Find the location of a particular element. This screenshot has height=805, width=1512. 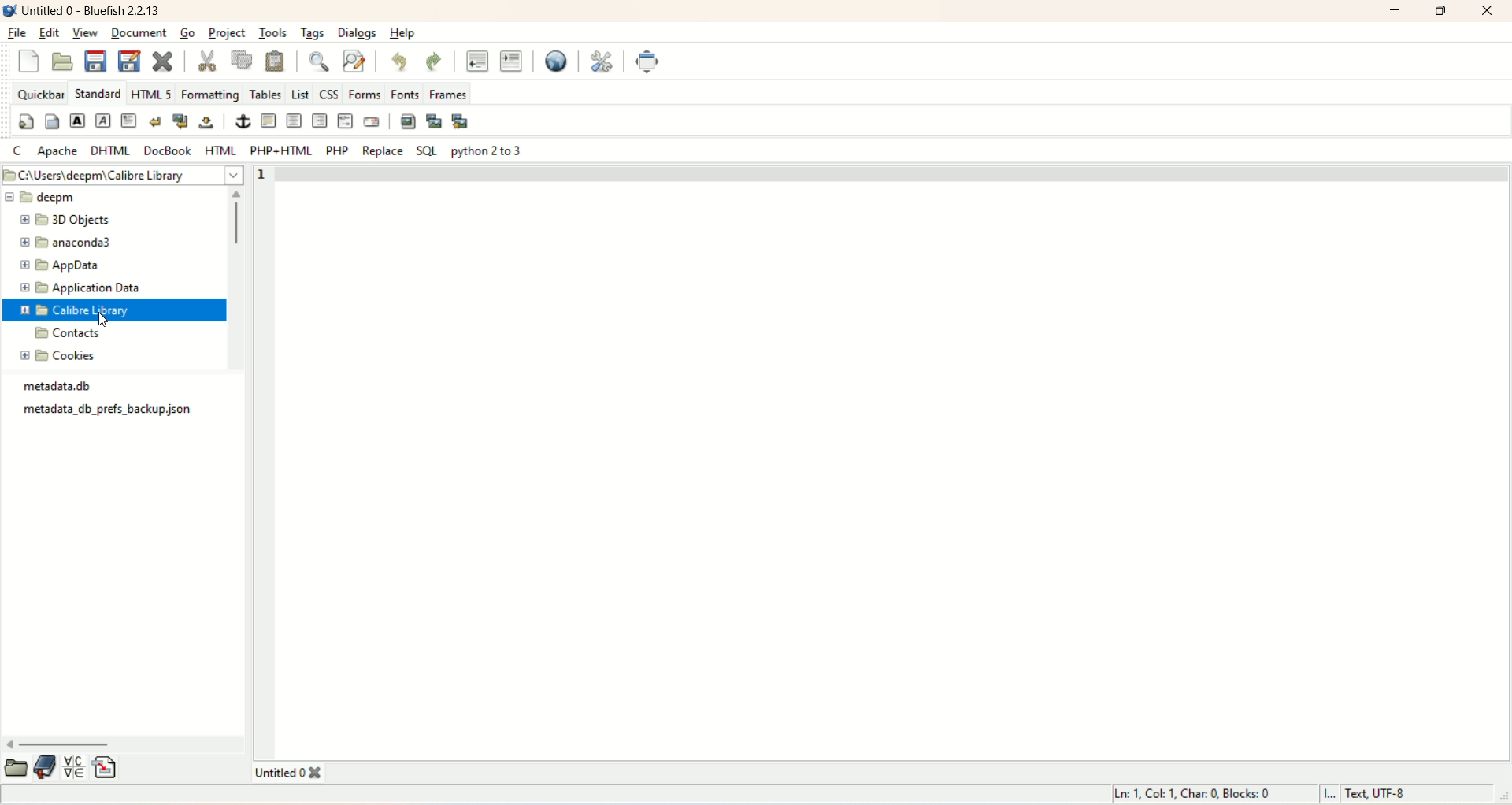

application data is located at coordinates (78, 289).